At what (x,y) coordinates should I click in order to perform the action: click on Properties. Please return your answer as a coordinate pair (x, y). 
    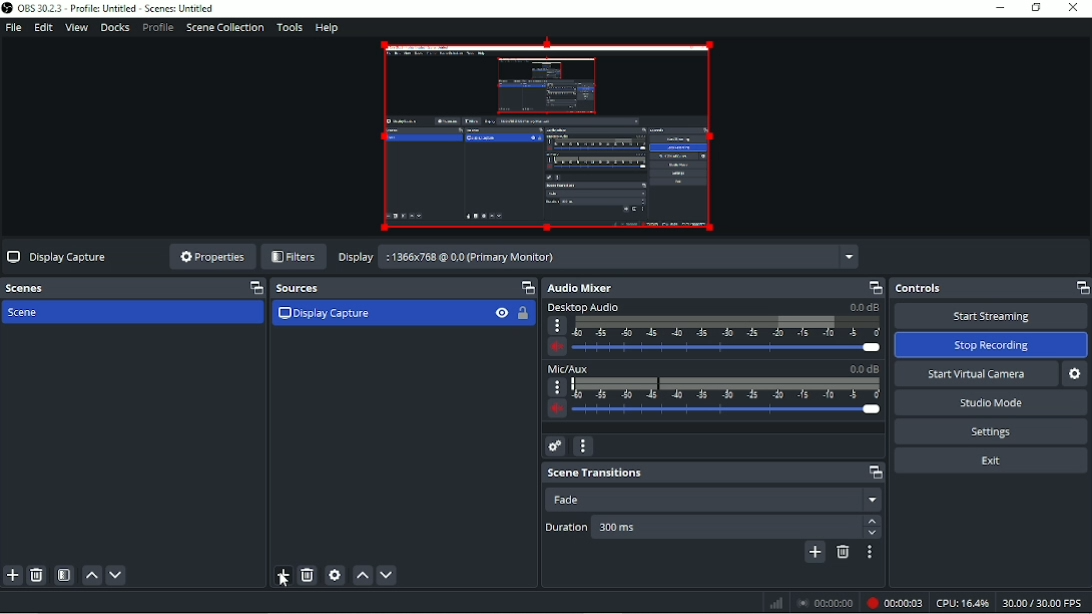
    Looking at the image, I should click on (210, 256).